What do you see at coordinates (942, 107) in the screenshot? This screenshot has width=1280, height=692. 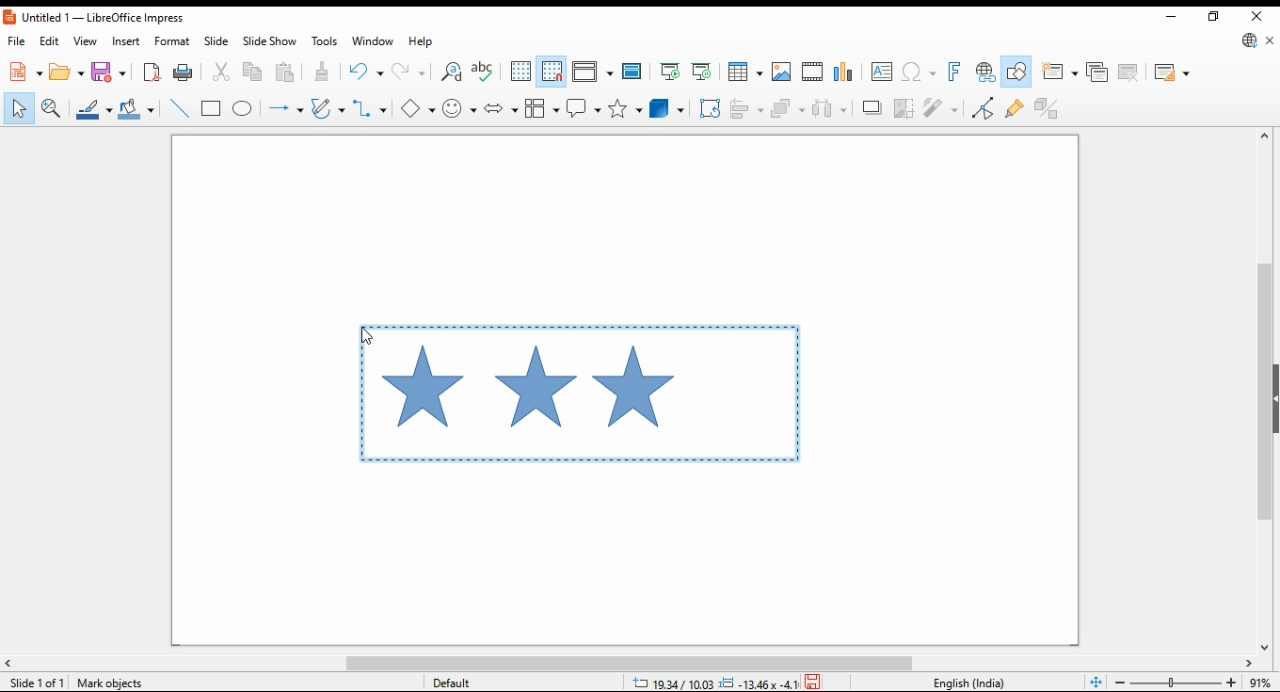 I see `filter` at bounding box center [942, 107].